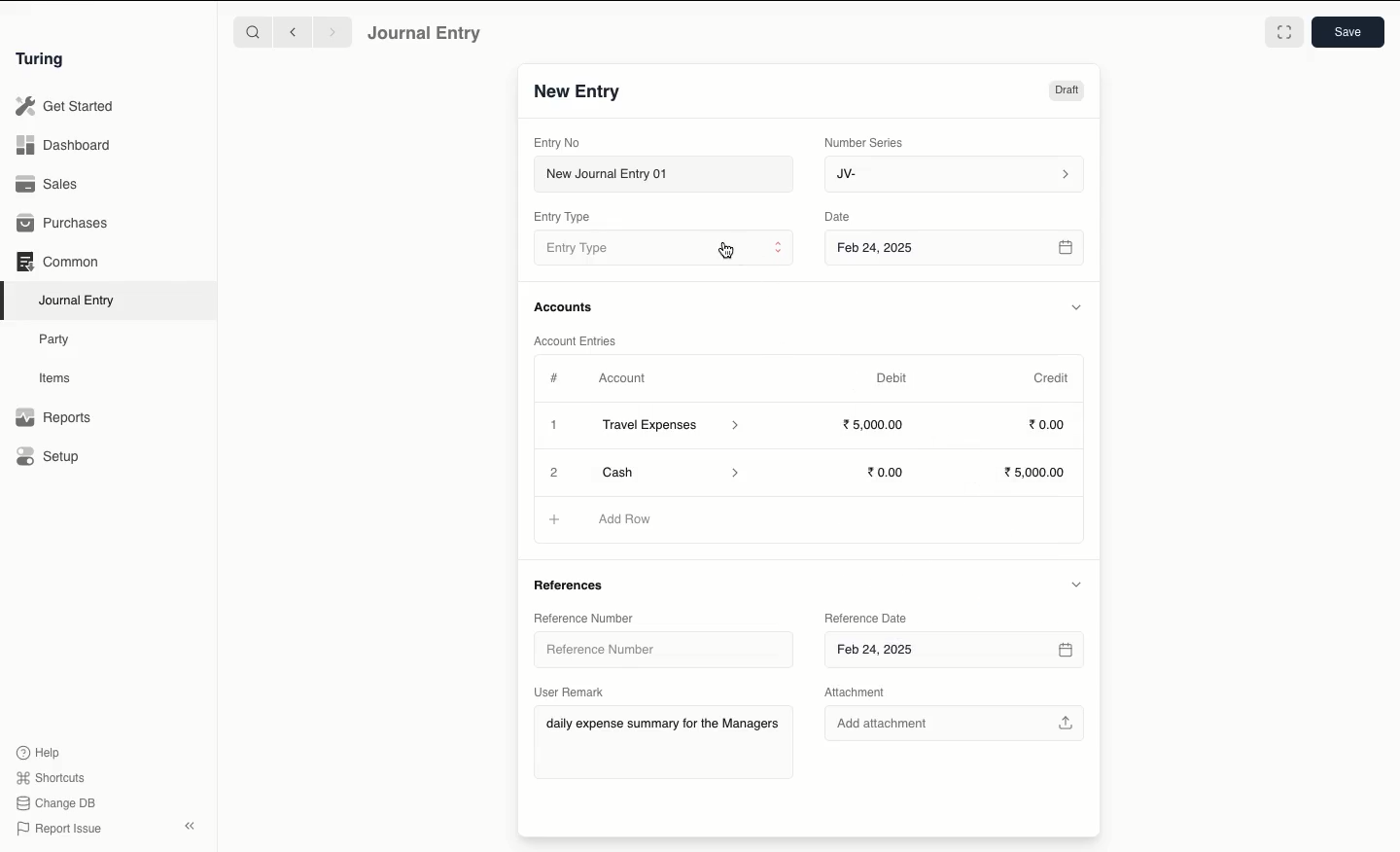 Image resolution: width=1400 pixels, height=852 pixels. What do you see at coordinates (426, 34) in the screenshot?
I see `Journal Entry` at bounding box center [426, 34].